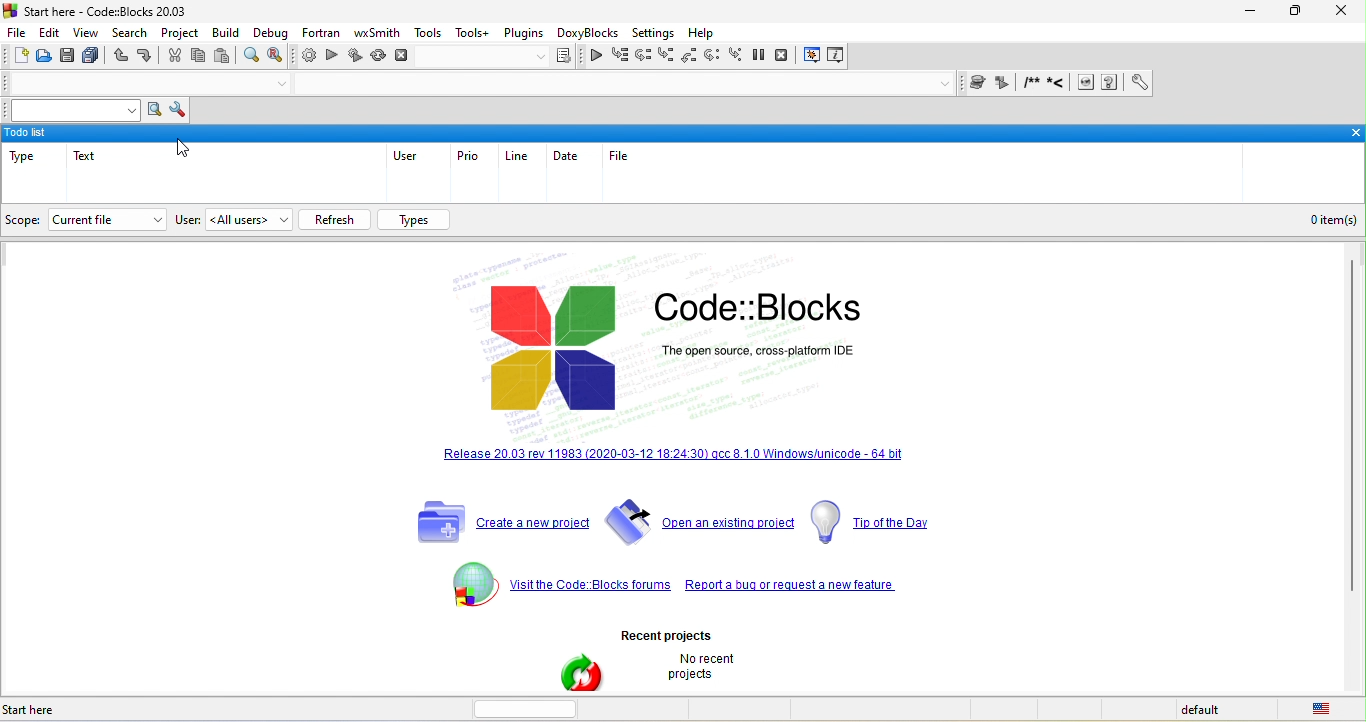 The width and height of the screenshot is (1366, 722). What do you see at coordinates (523, 34) in the screenshot?
I see `plugins` at bounding box center [523, 34].